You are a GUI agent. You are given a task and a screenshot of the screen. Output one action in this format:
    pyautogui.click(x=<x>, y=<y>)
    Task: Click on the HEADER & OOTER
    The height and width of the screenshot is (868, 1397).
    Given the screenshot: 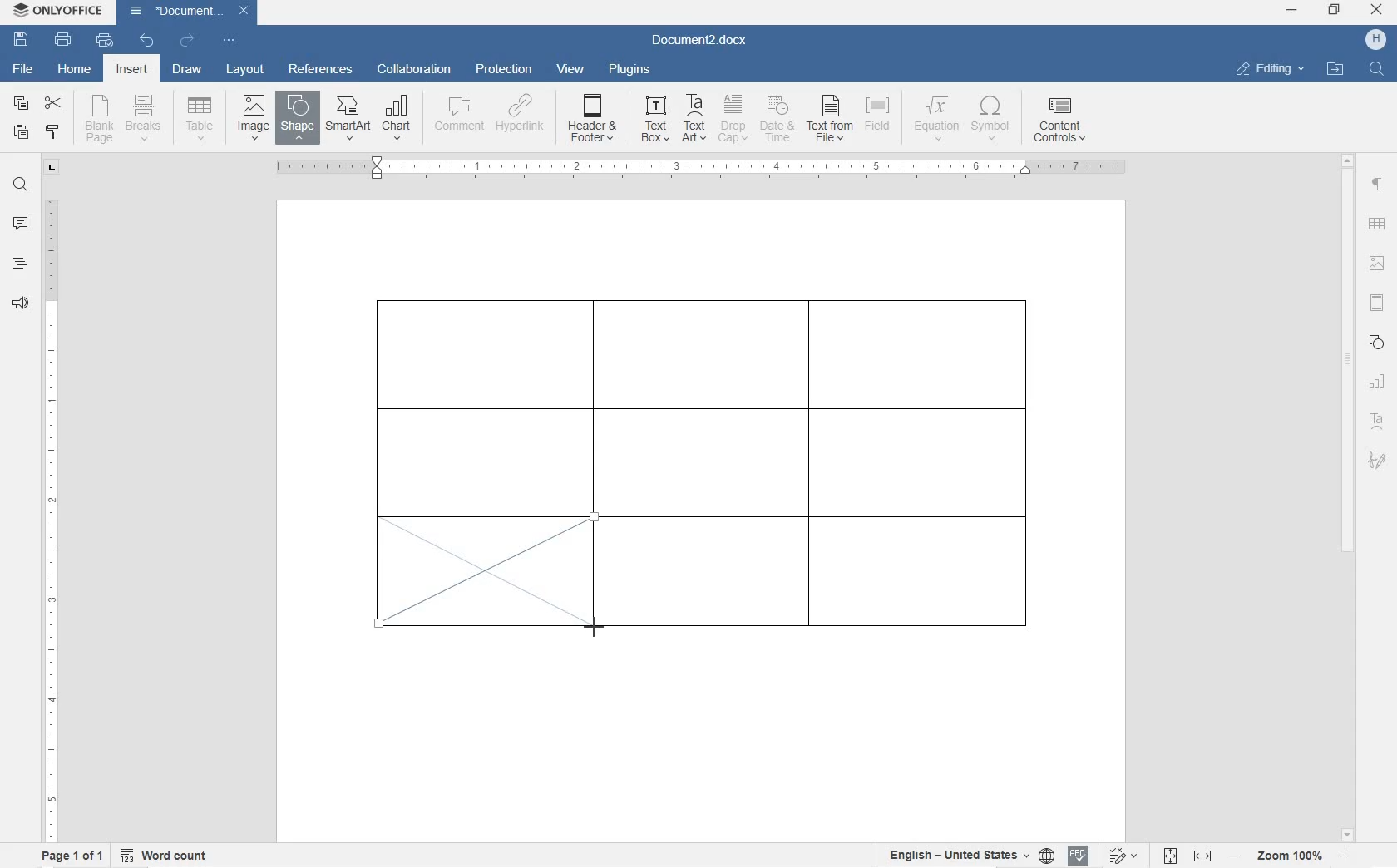 What is the action you would take?
    pyautogui.click(x=593, y=119)
    